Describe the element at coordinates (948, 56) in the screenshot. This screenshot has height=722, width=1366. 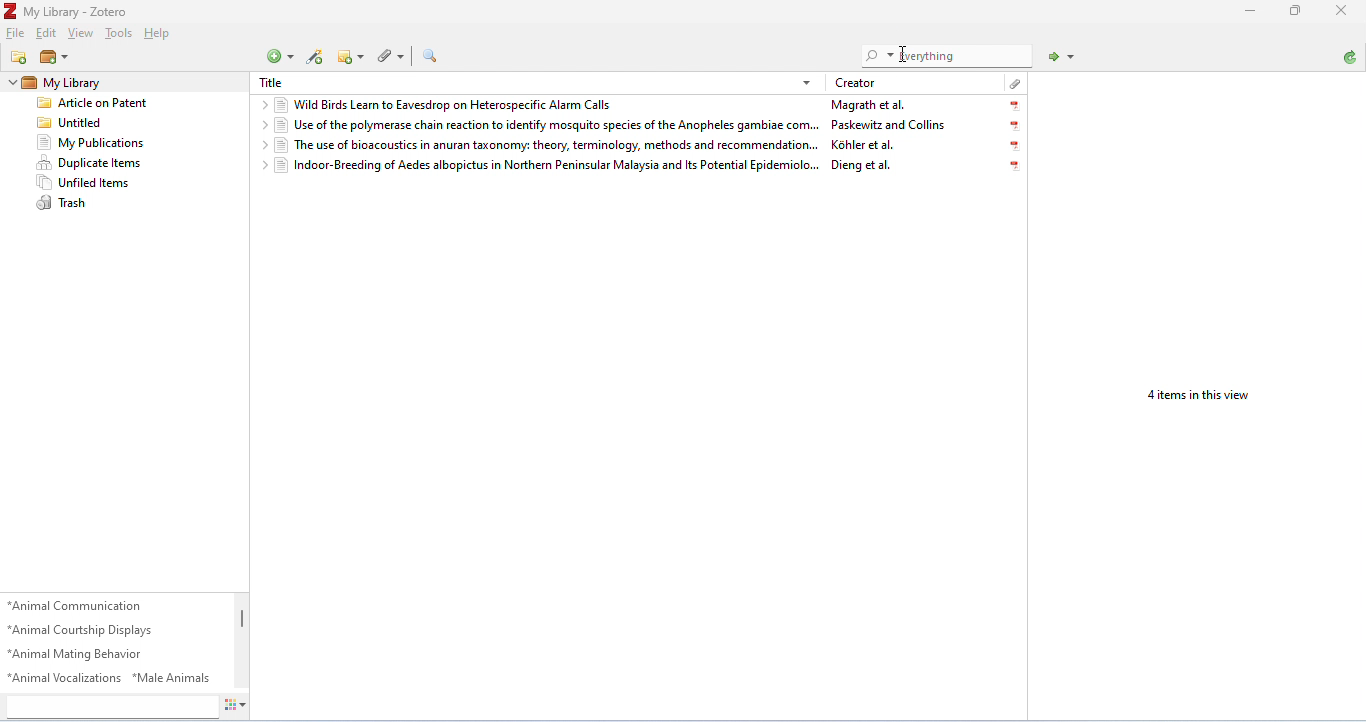
I see `Search Everything` at that location.